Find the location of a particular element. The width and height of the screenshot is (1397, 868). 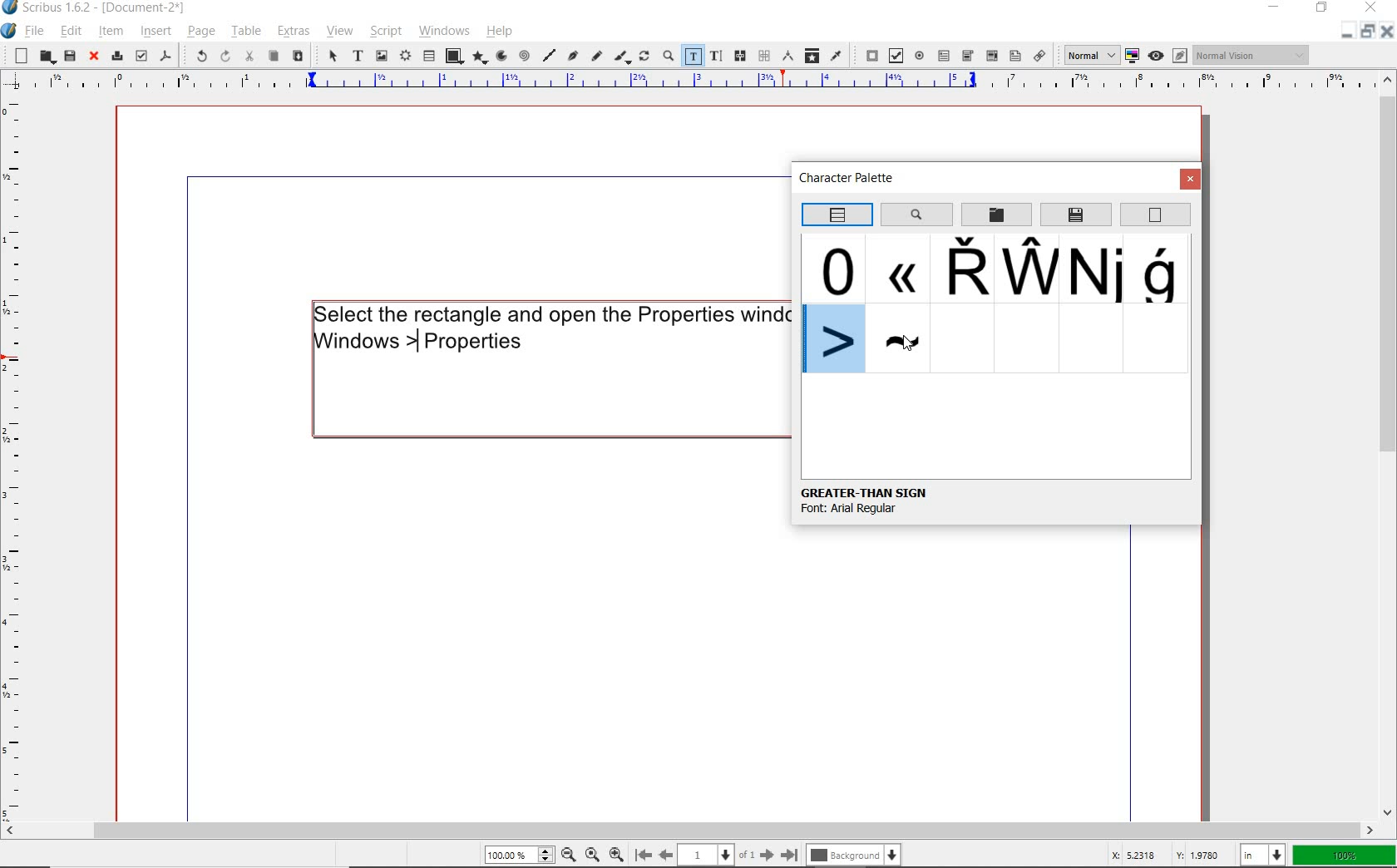

glyphs is located at coordinates (960, 269).